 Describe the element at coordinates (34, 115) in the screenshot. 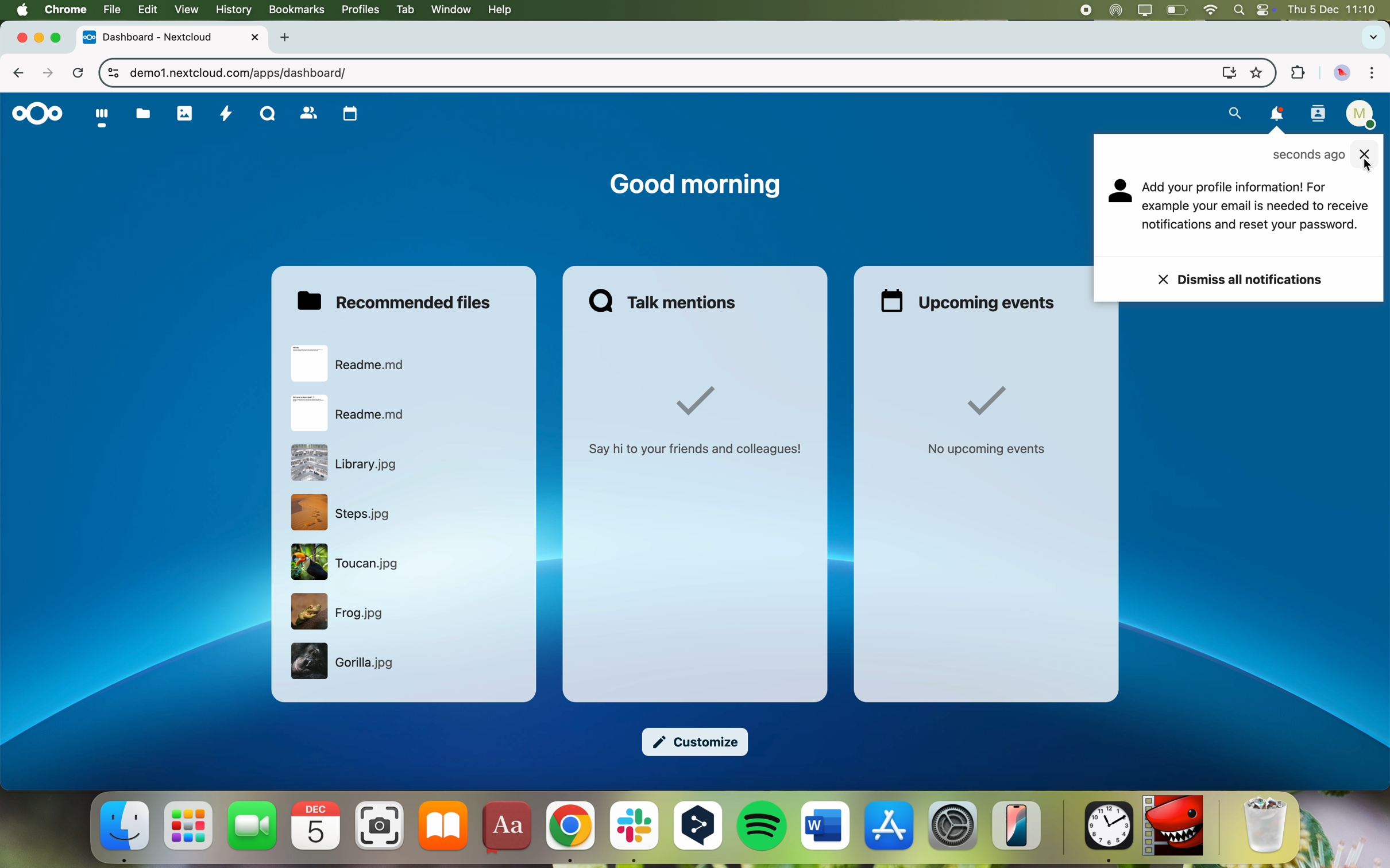

I see `Nextcloud logo` at that location.